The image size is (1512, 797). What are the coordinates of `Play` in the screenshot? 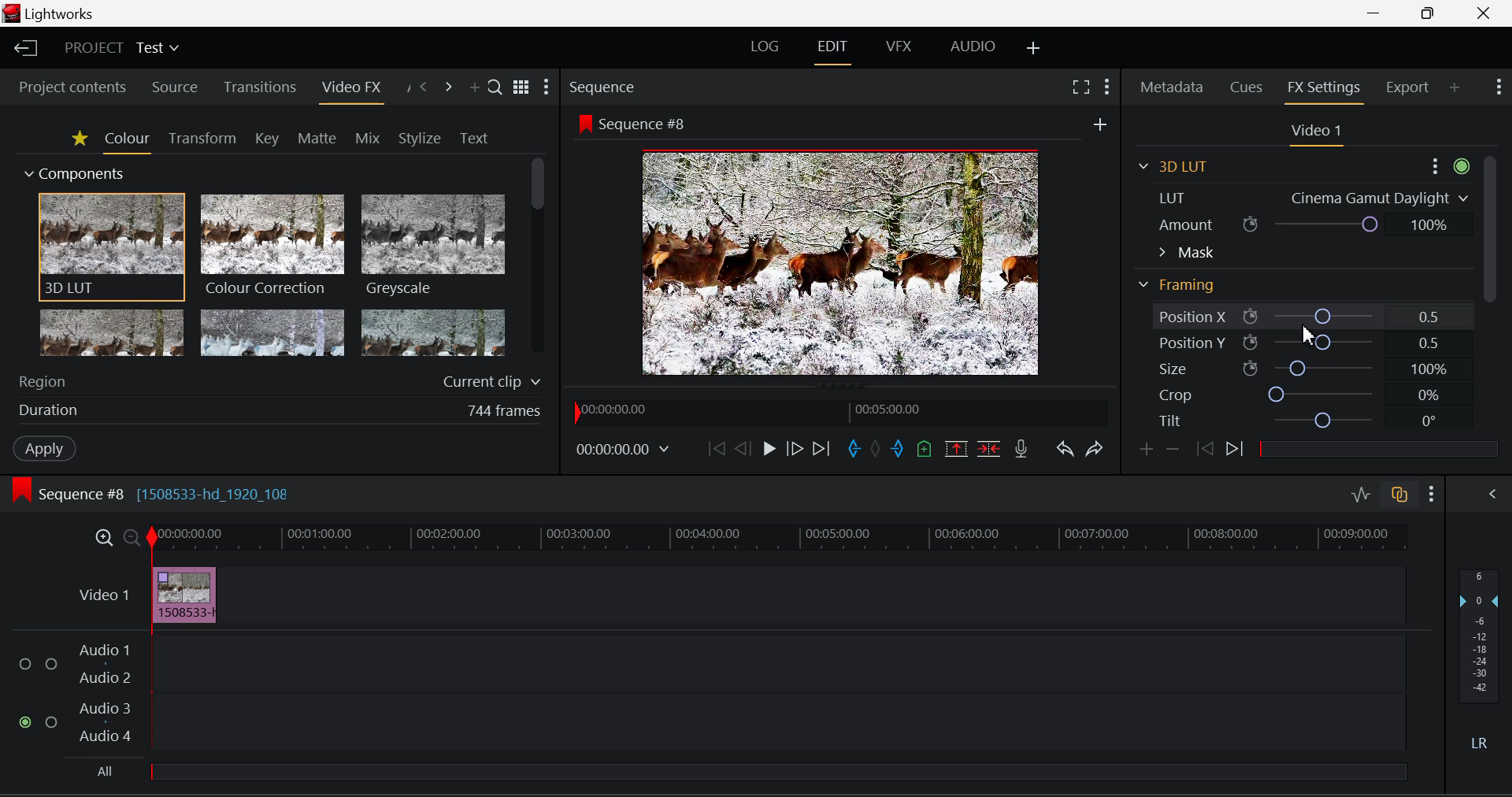 It's located at (767, 449).